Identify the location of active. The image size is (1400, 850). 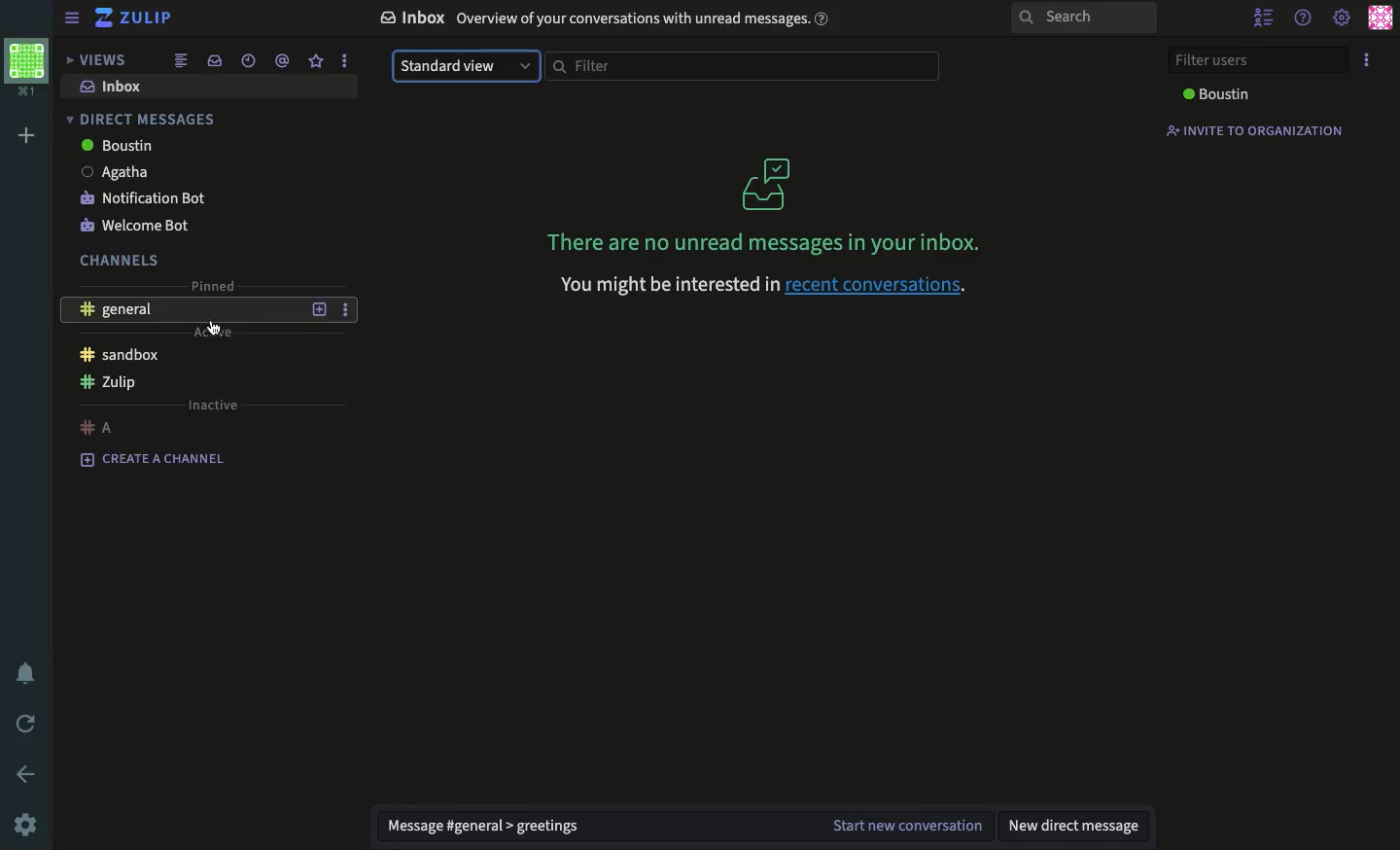
(217, 331).